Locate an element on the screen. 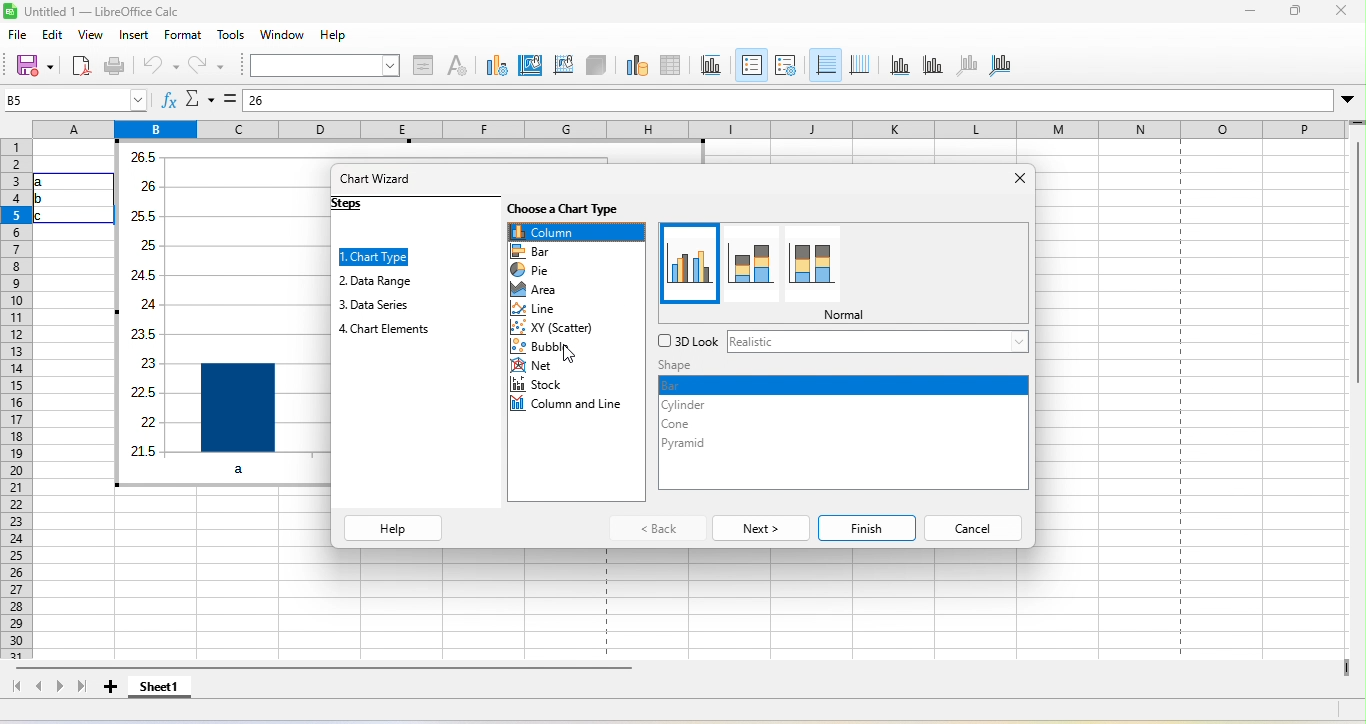 The width and height of the screenshot is (1366, 724). character is located at coordinates (459, 68).